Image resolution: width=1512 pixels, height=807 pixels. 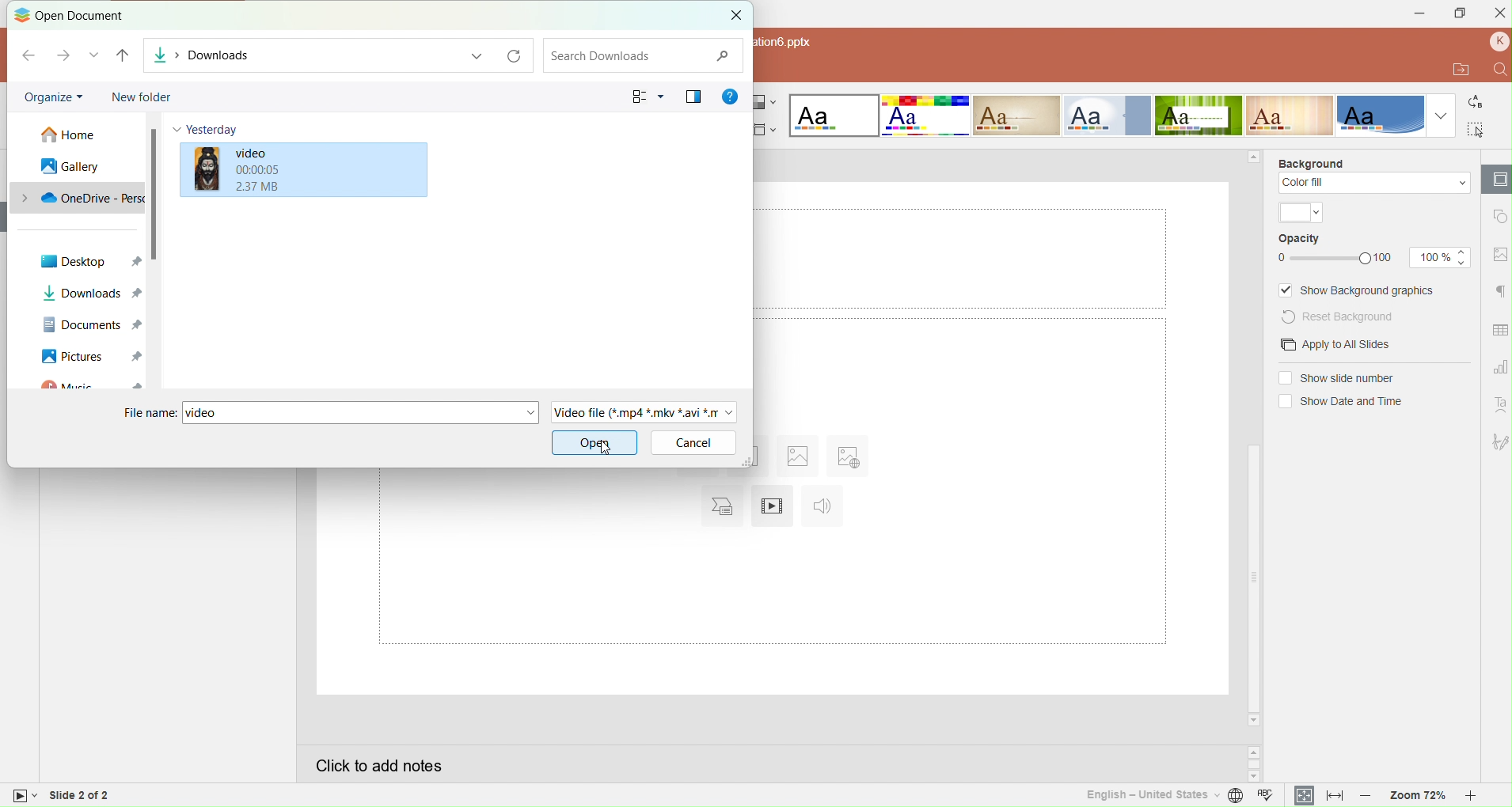 I want to click on Spell checking, so click(x=1268, y=795).